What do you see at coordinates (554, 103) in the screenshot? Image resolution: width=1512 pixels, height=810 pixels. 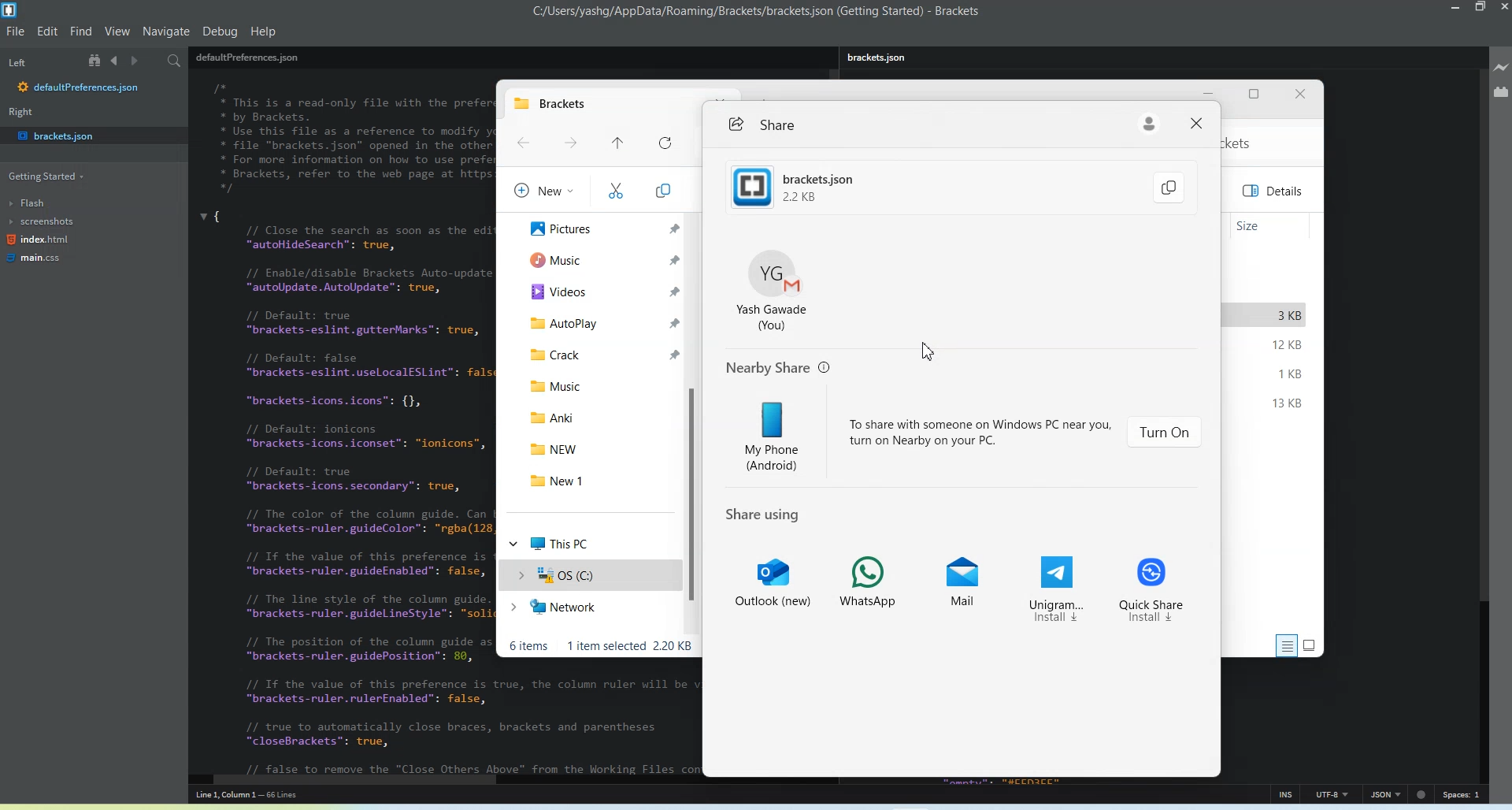 I see `New tab` at bounding box center [554, 103].